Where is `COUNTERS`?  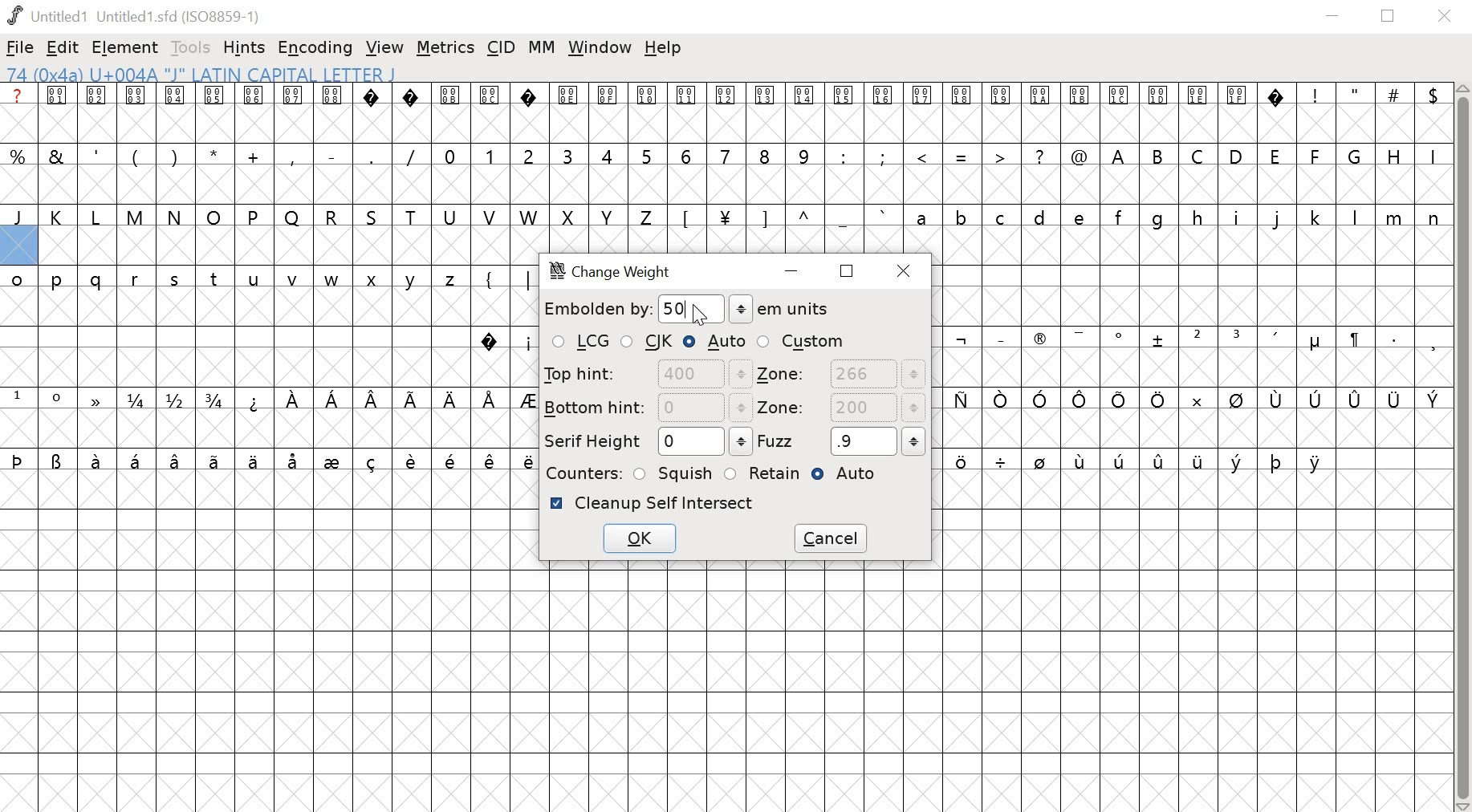 COUNTERS is located at coordinates (581, 473).